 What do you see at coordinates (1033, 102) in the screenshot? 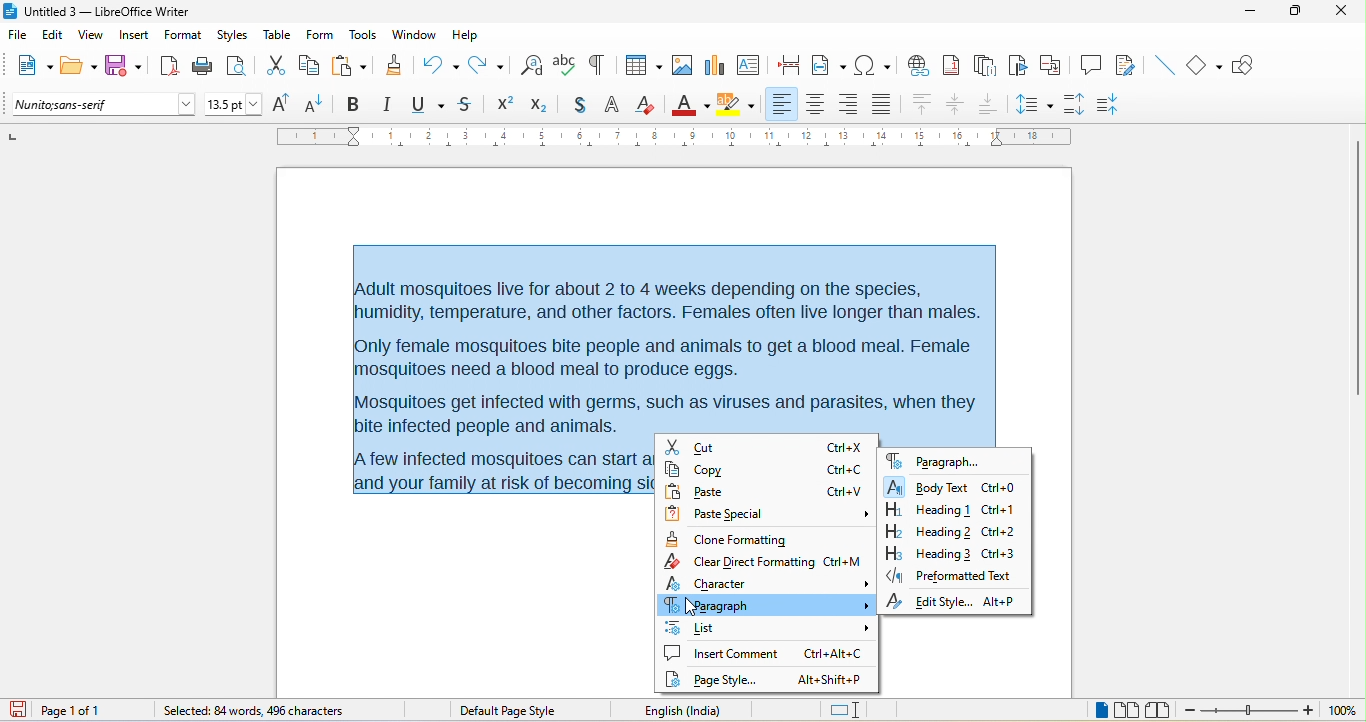
I see `set line spacing` at bounding box center [1033, 102].